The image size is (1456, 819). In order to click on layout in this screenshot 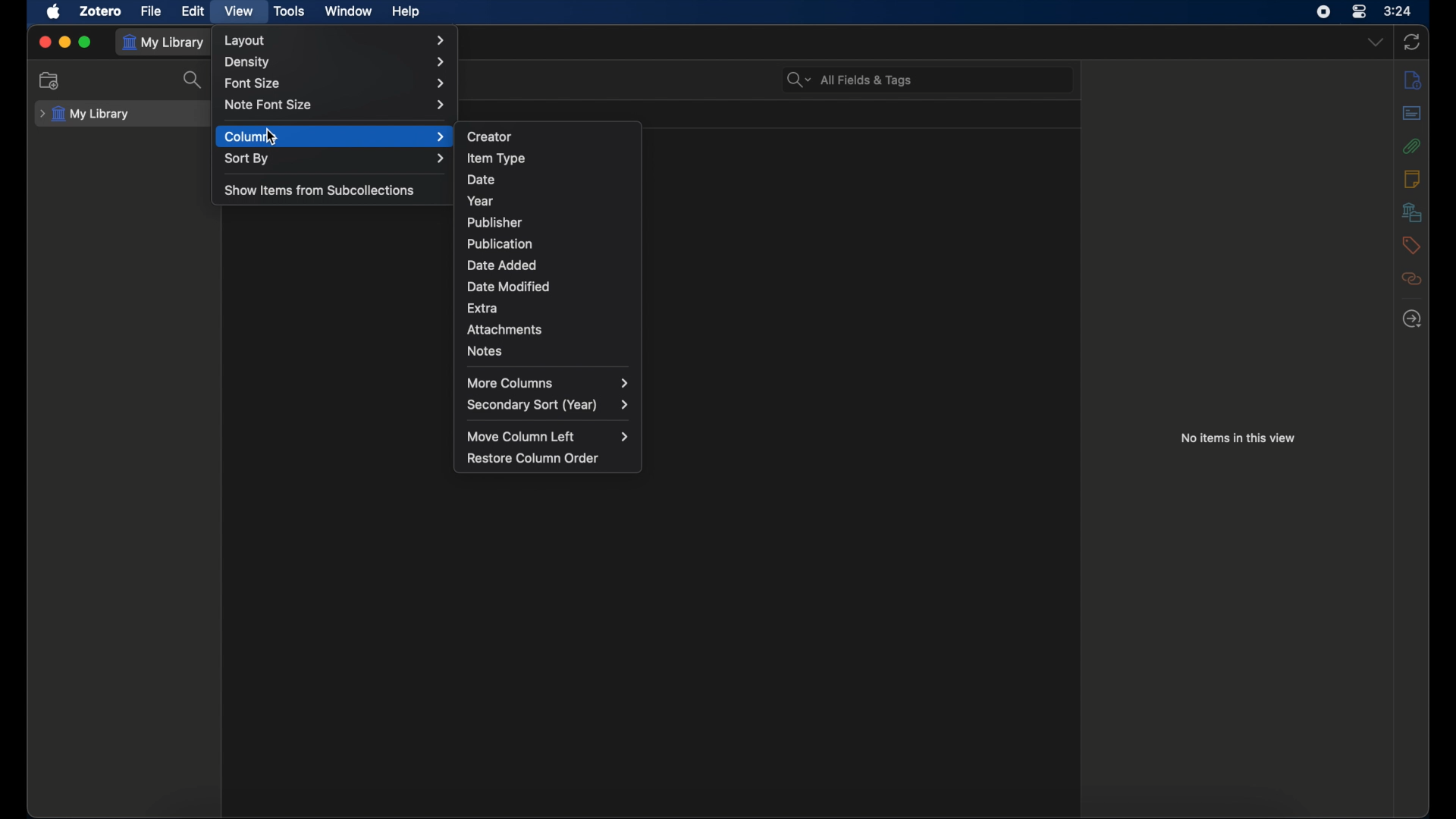, I will do `click(338, 41)`.